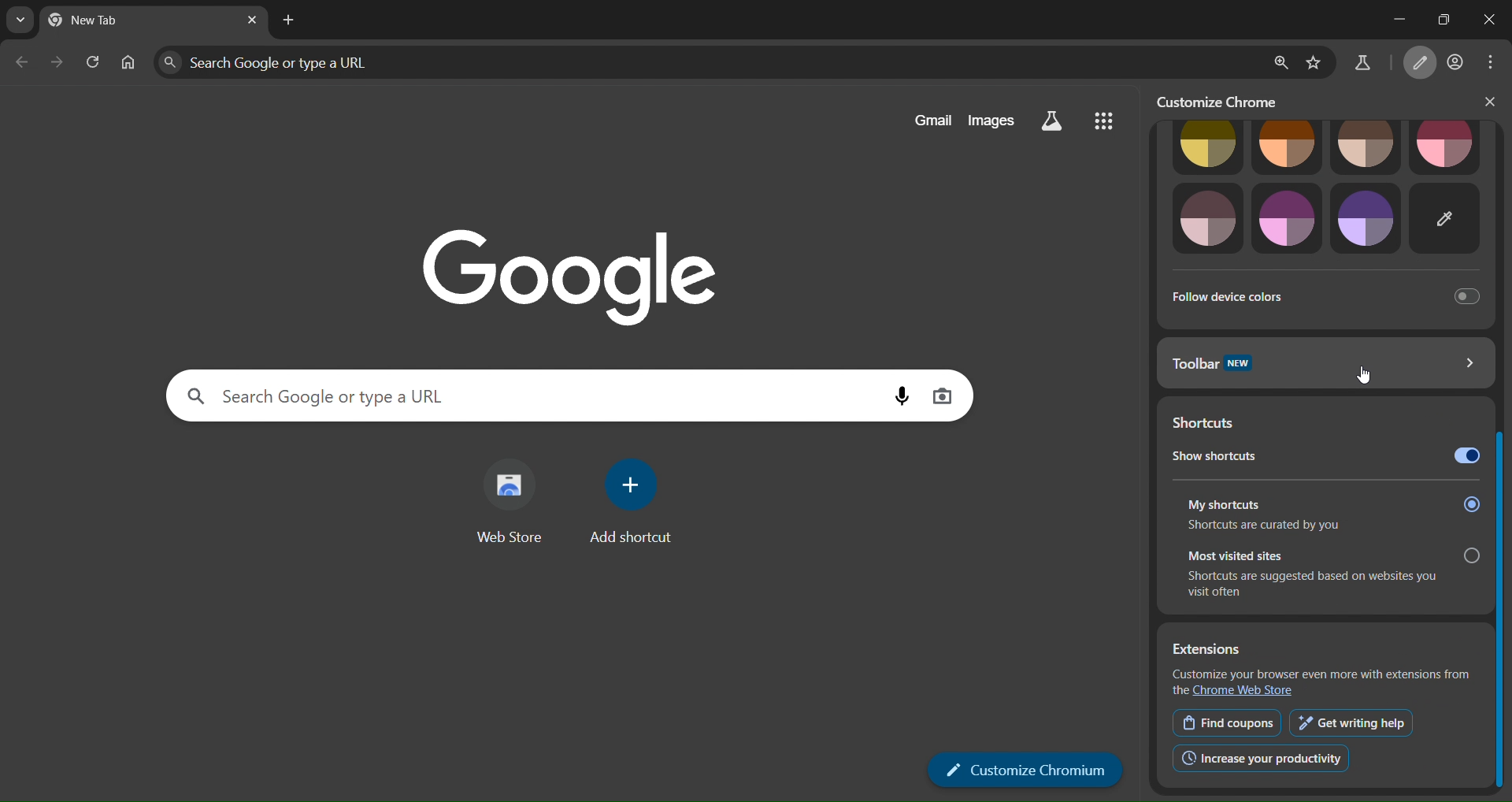 This screenshot has width=1512, height=802. Describe the element at coordinates (946, 395) in the screenshot. I see `image search` at that location.